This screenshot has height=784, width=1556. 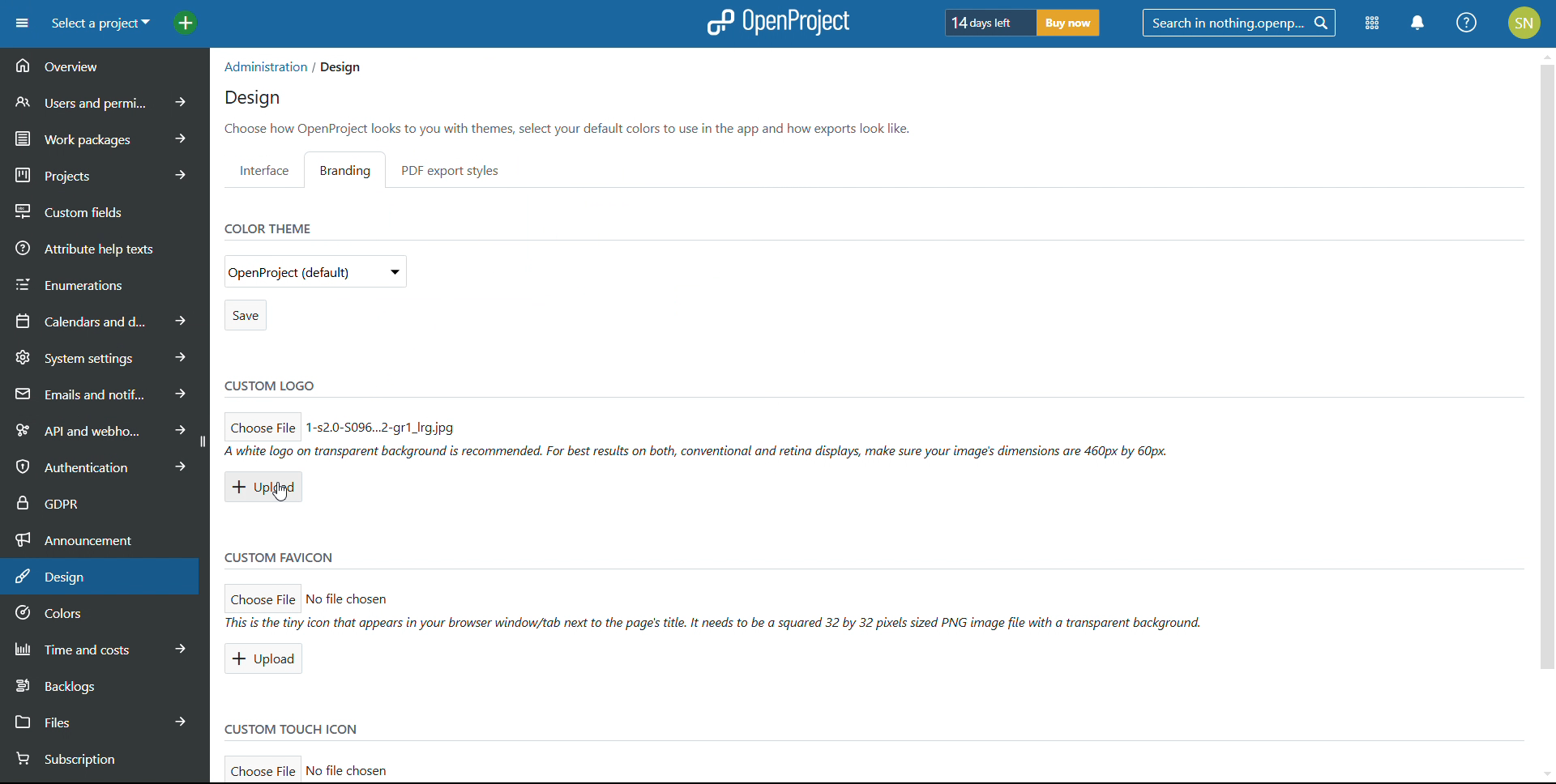 I want to click on pdf export styles, so click(x=451, y=170).